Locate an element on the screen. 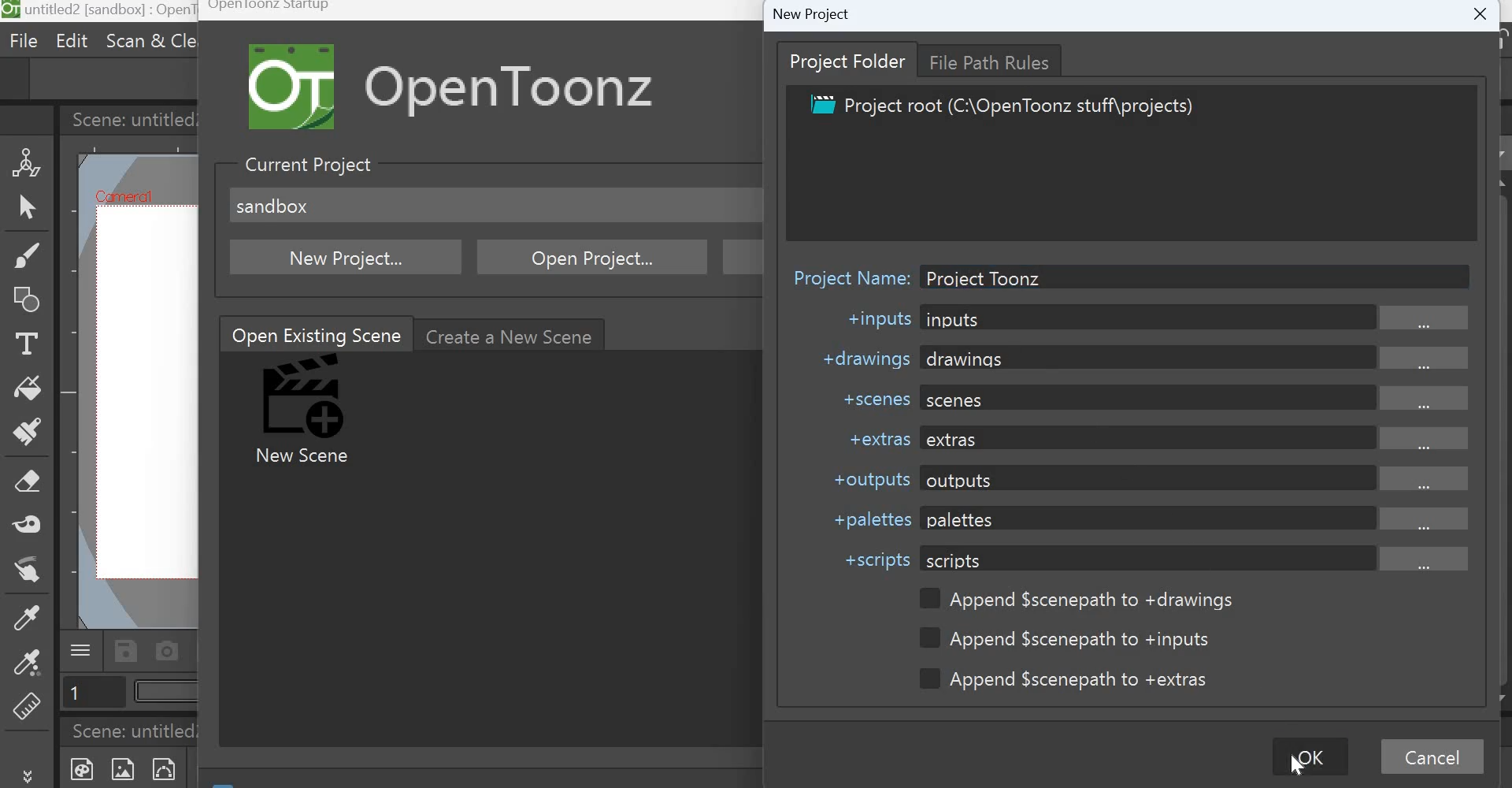 The image size is (1512, 788). Capture is located at coordinates (169, 650).